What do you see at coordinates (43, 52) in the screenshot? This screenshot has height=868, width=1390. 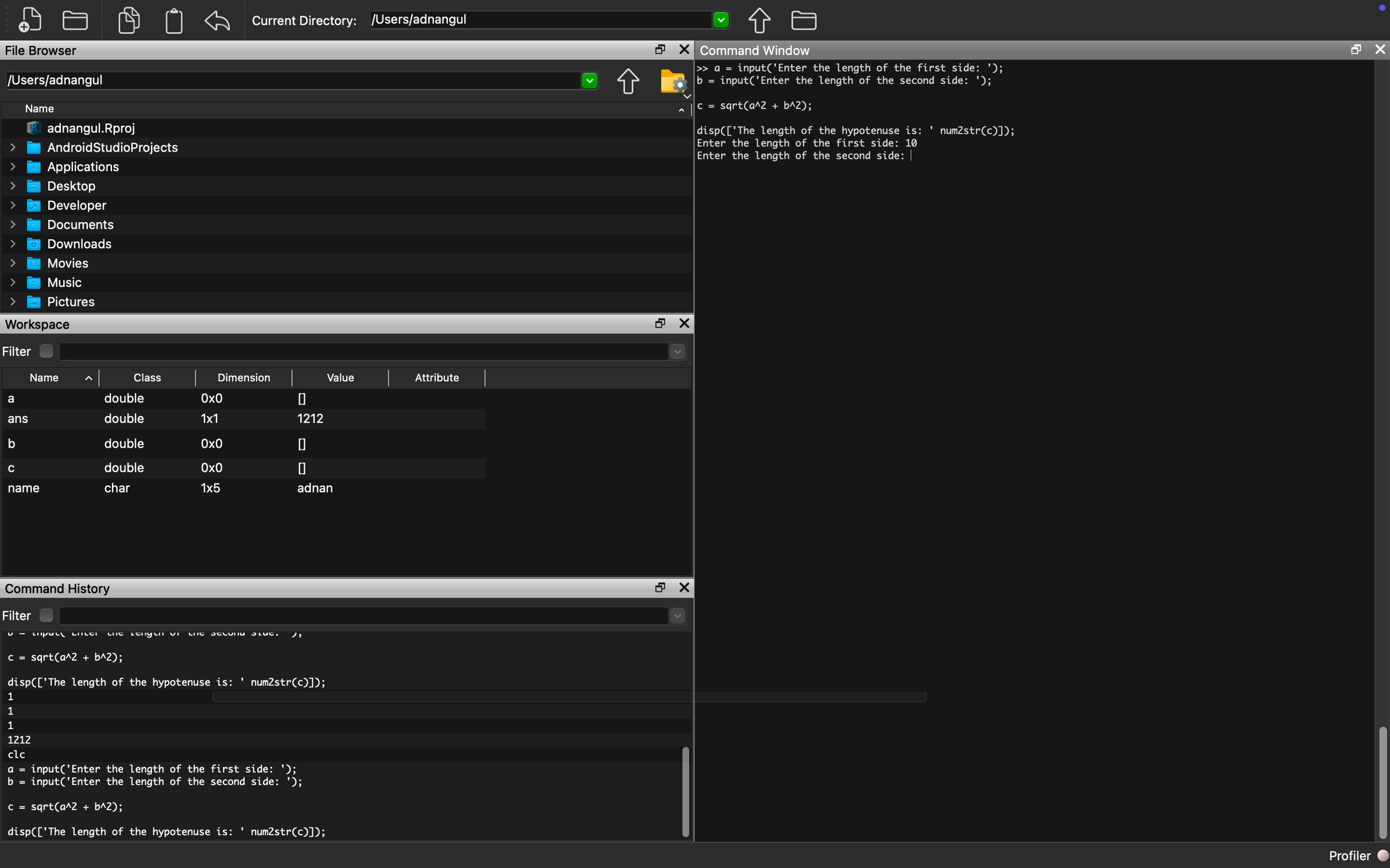 I see `File Browser` at bounding box center [43, 52].